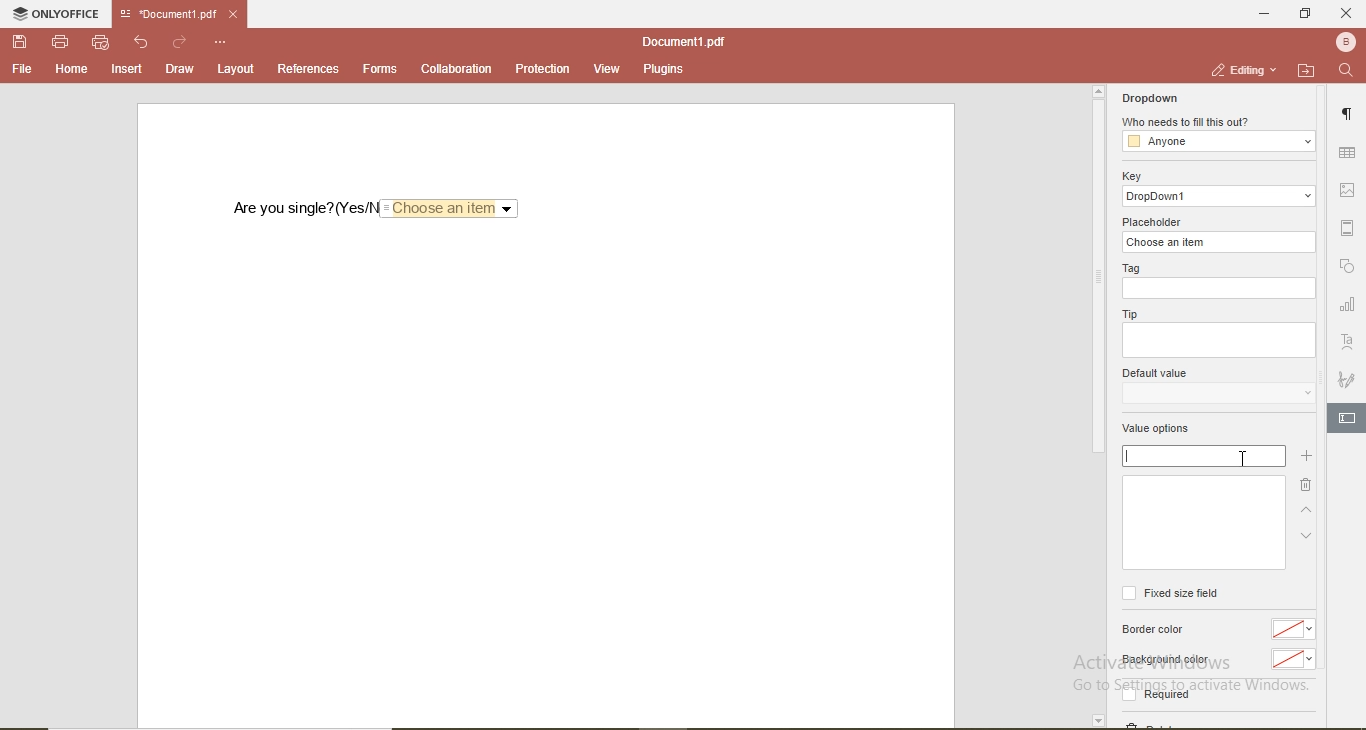 The width and height of the screenshot is (1366, 730). Describe the element at coordinates (1308, 16) in the screenshot. I see `restore` at that location.